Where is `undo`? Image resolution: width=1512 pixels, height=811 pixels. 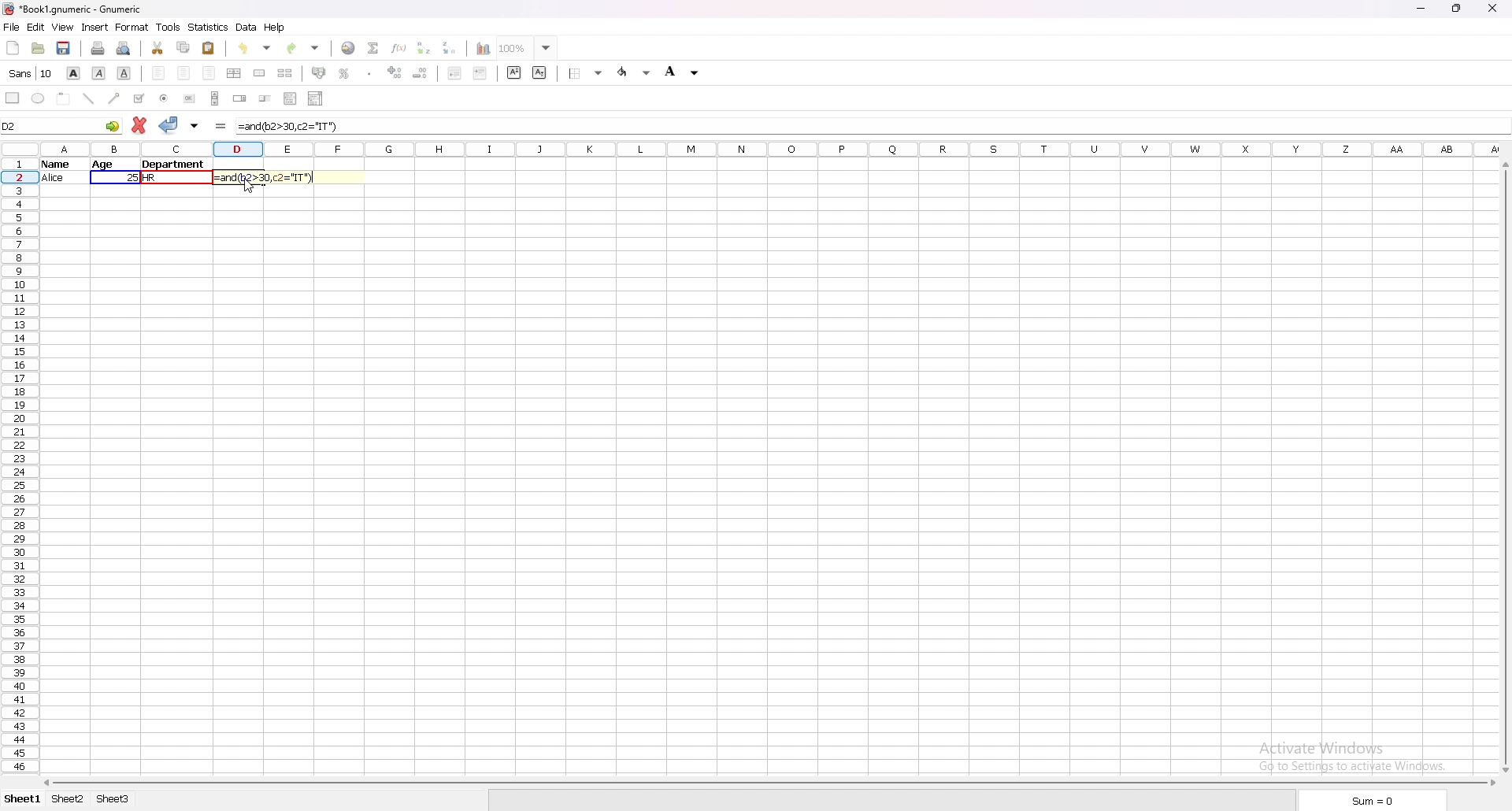
undo is located at coordinates (257, 48).